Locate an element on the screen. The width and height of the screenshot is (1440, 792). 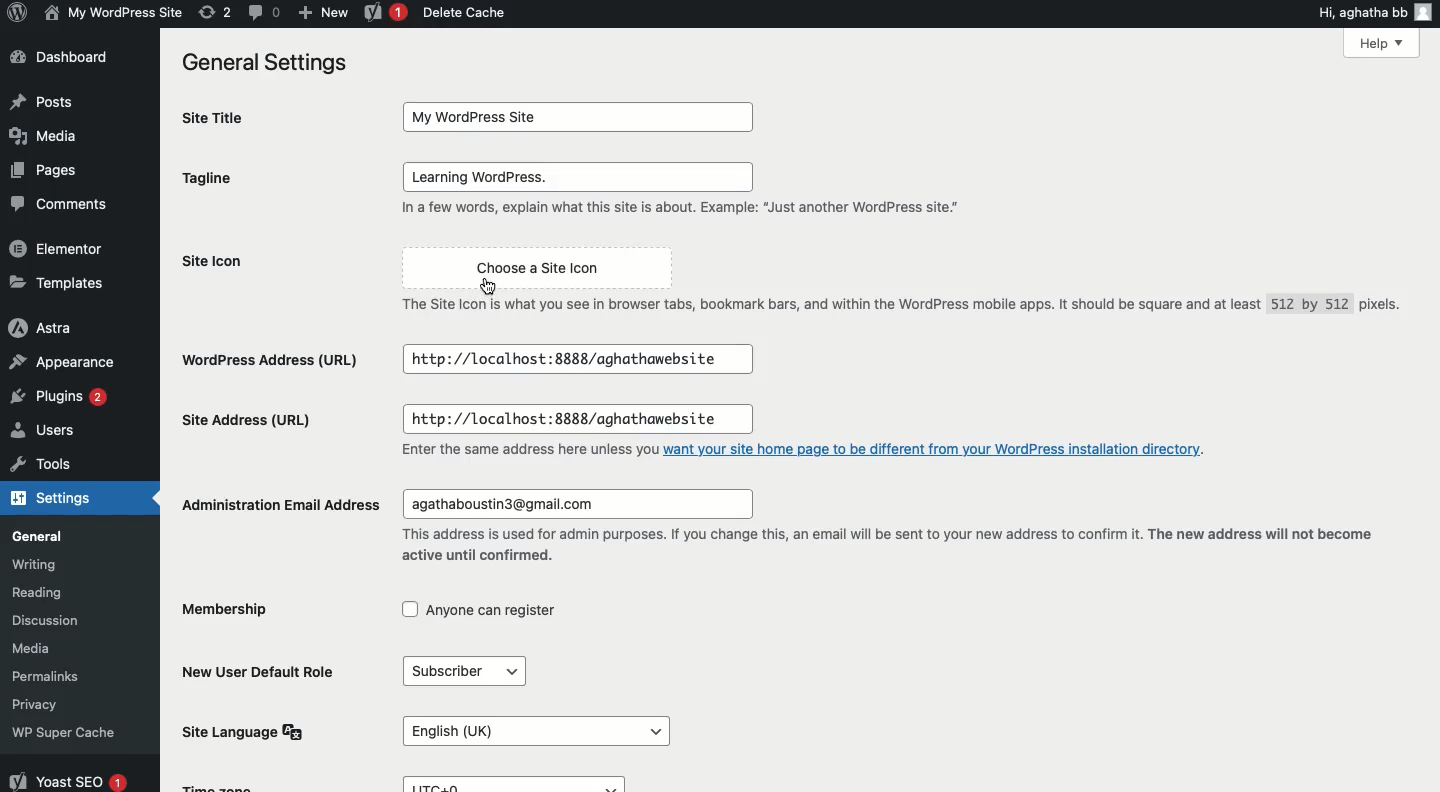
The Site Icon is what you see in browser tabs, bookmark bars, and within the WordPress mobile apps. It should be square and at least 512 by 512 pixels. is located at coordinates (895, 305).